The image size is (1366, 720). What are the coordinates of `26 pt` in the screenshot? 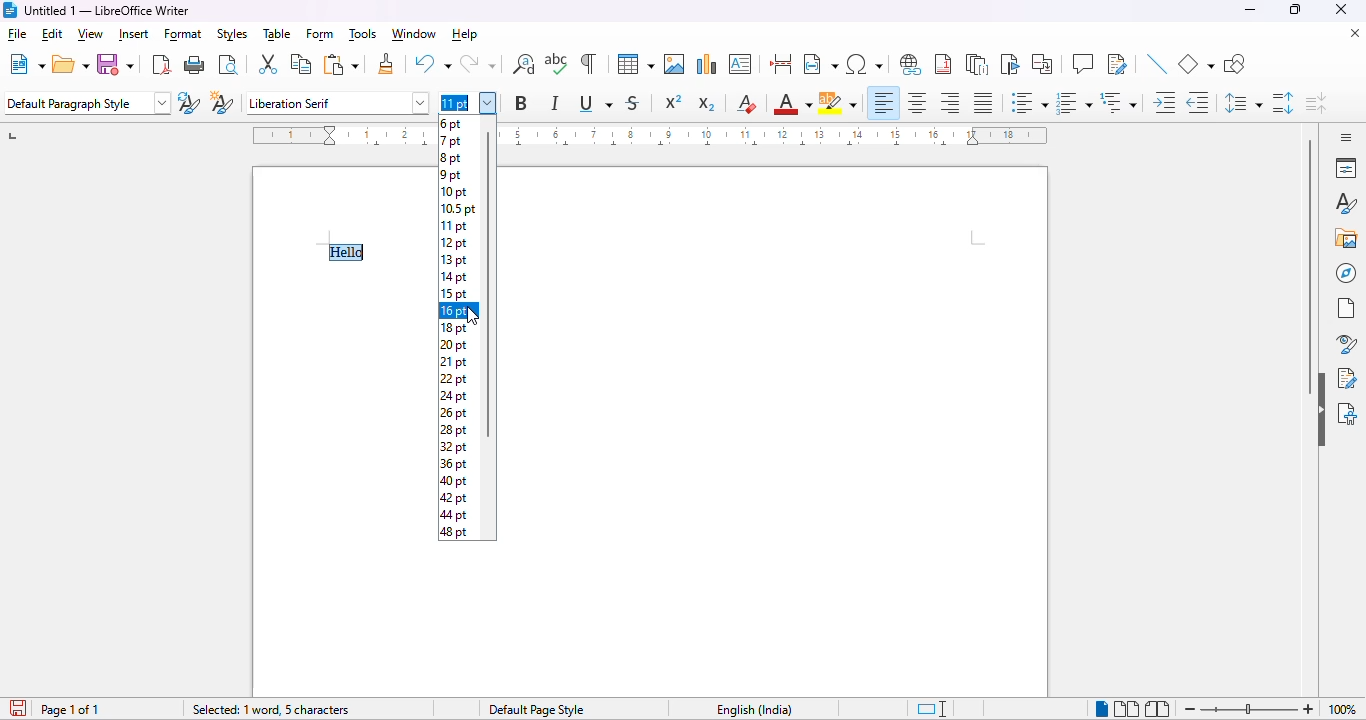 It's located at (452, 414).